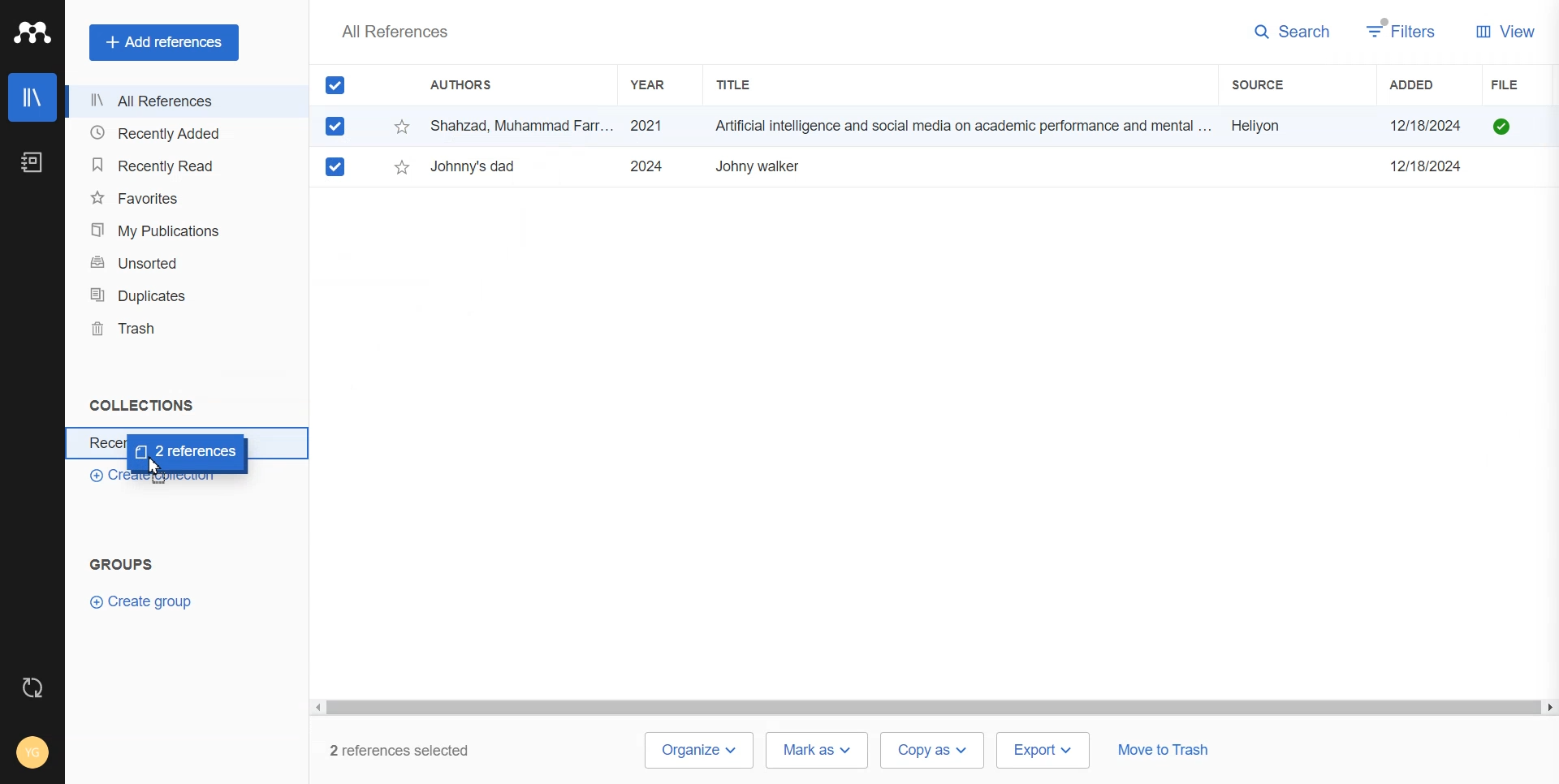 The image size is (1559, 784). What do you see at coordinates (181, 101) in the screenshot?
I see `All References` at bounding box center [181, 101].